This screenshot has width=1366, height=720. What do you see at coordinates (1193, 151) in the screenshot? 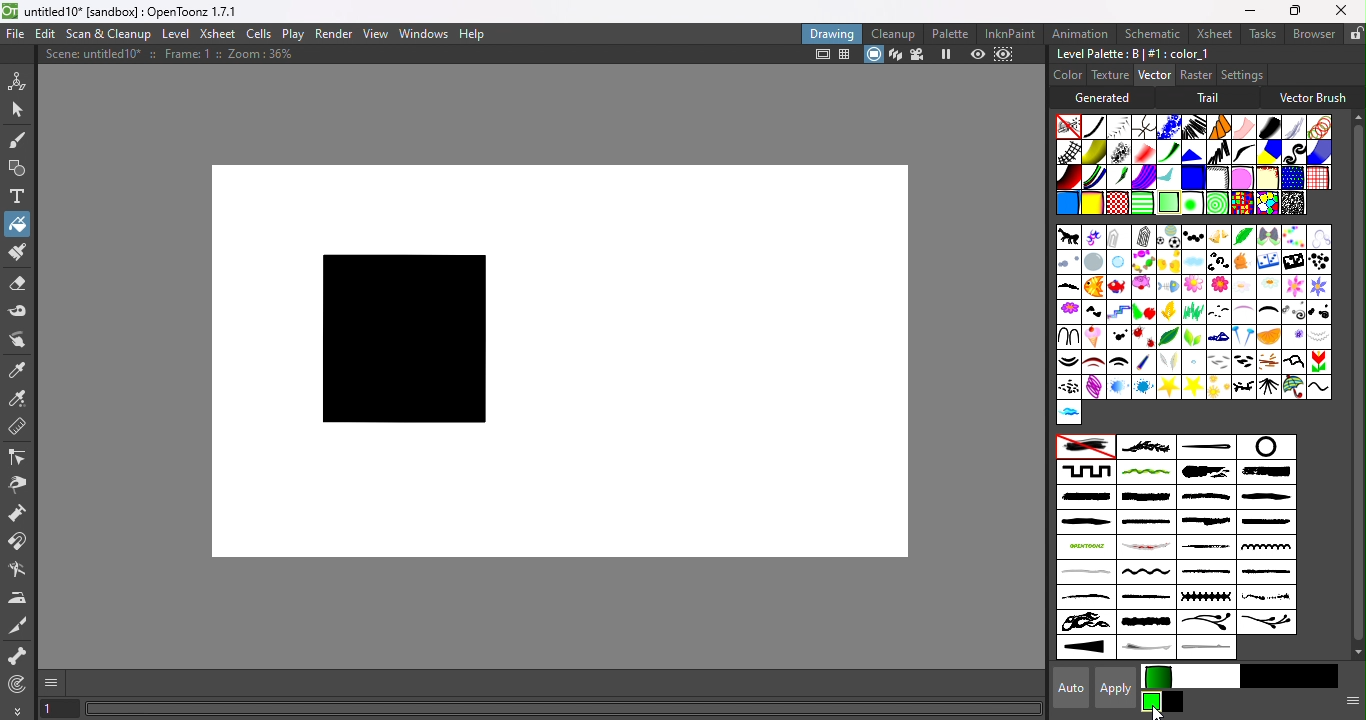
I see `Jagged` at bounding box center [1193, 151].